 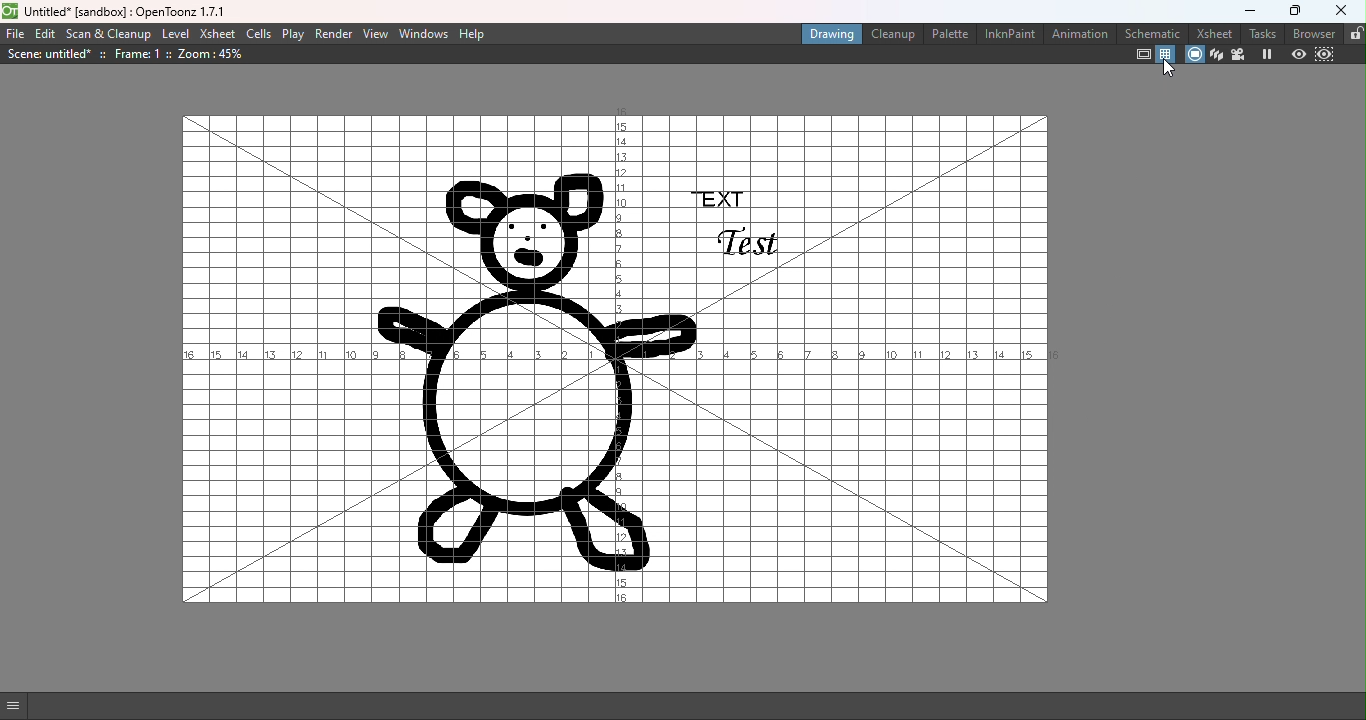 What do you see at coordinates (479, 35) in the screenshot?
I see `Help` at bounding box center [479, 35].